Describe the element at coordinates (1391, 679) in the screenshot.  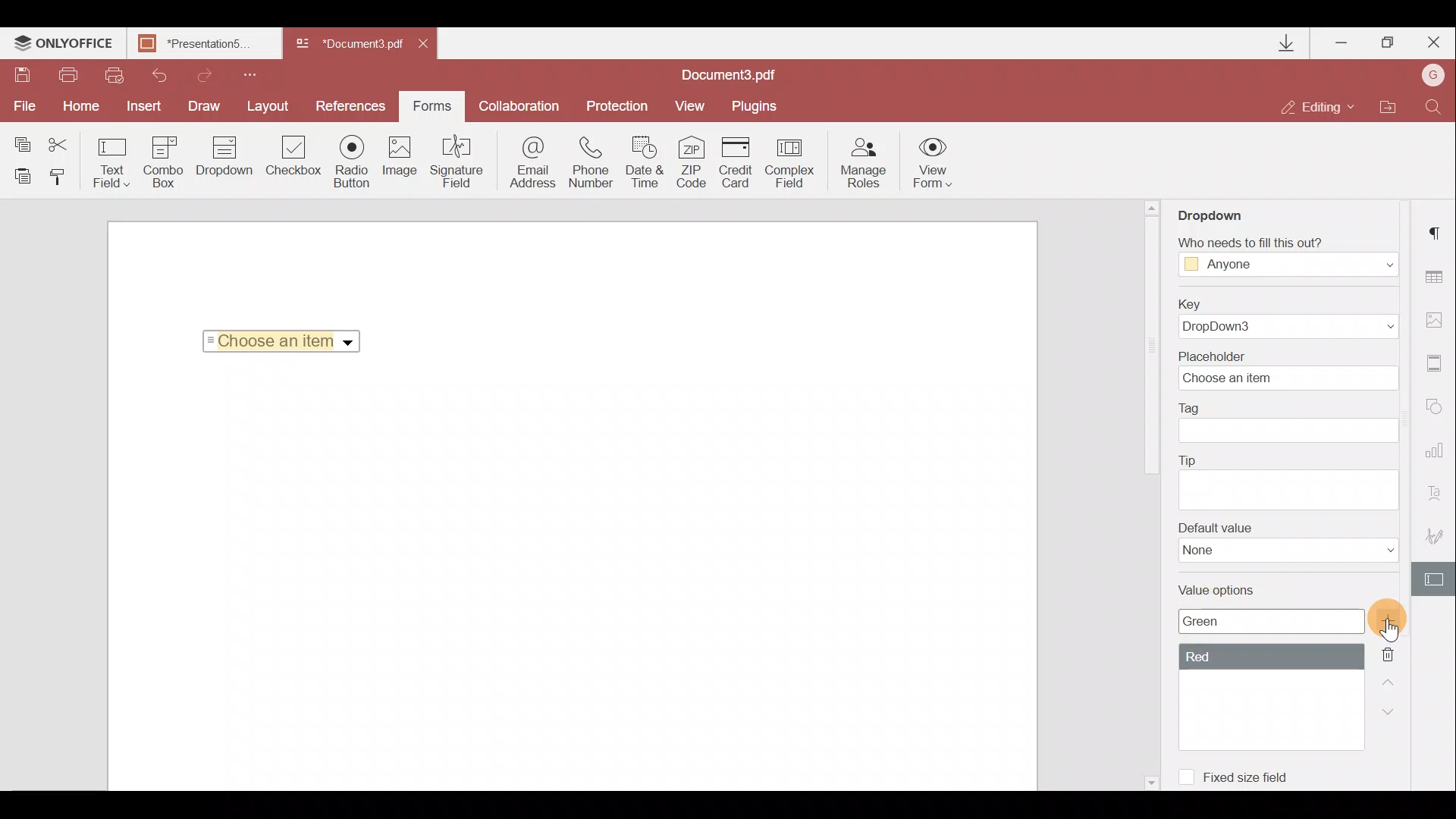
I see `Up` at that location.